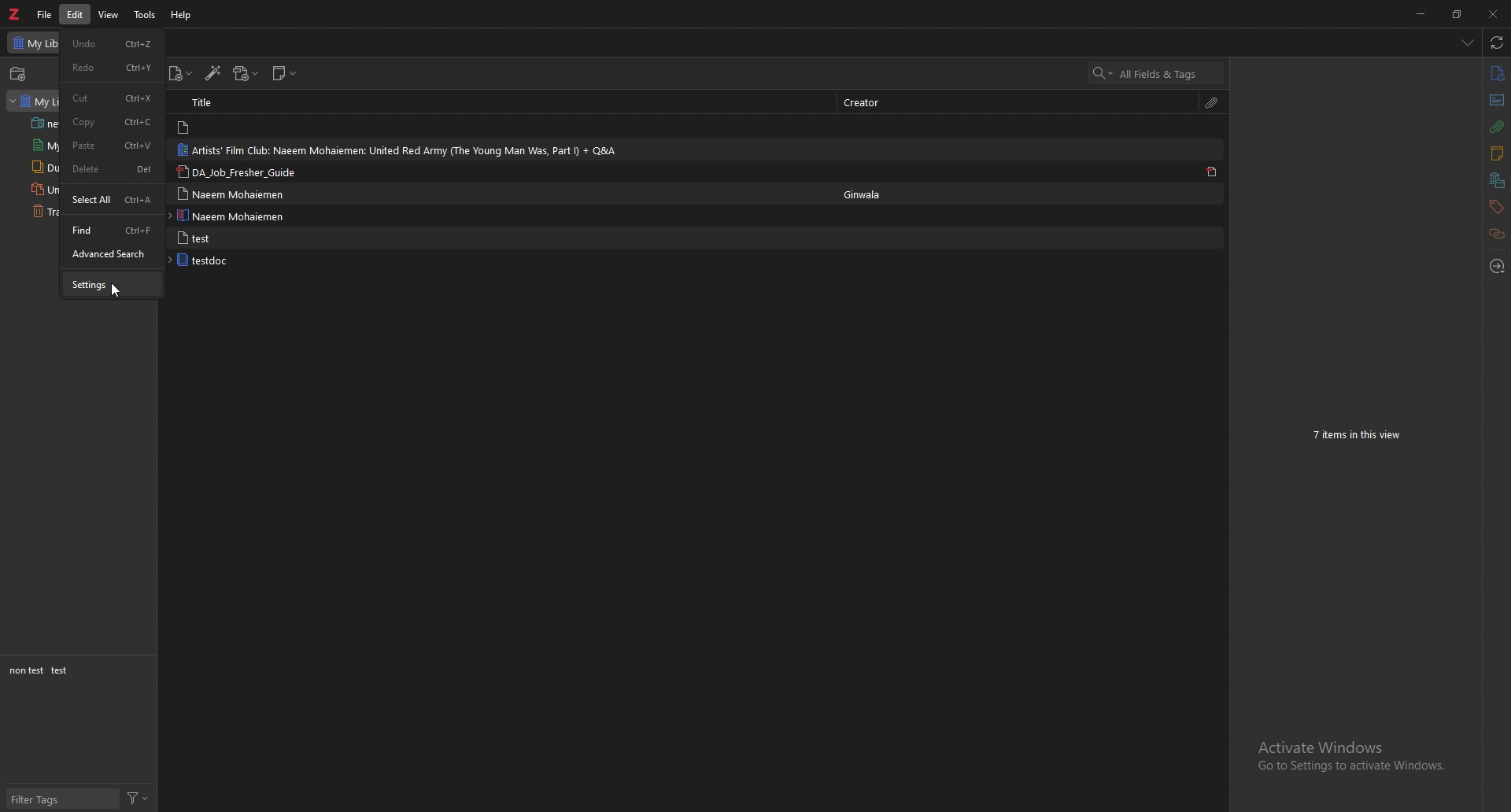 This screenshot has width=1511, height=812. I want to click on zotero, so click(15, 14).